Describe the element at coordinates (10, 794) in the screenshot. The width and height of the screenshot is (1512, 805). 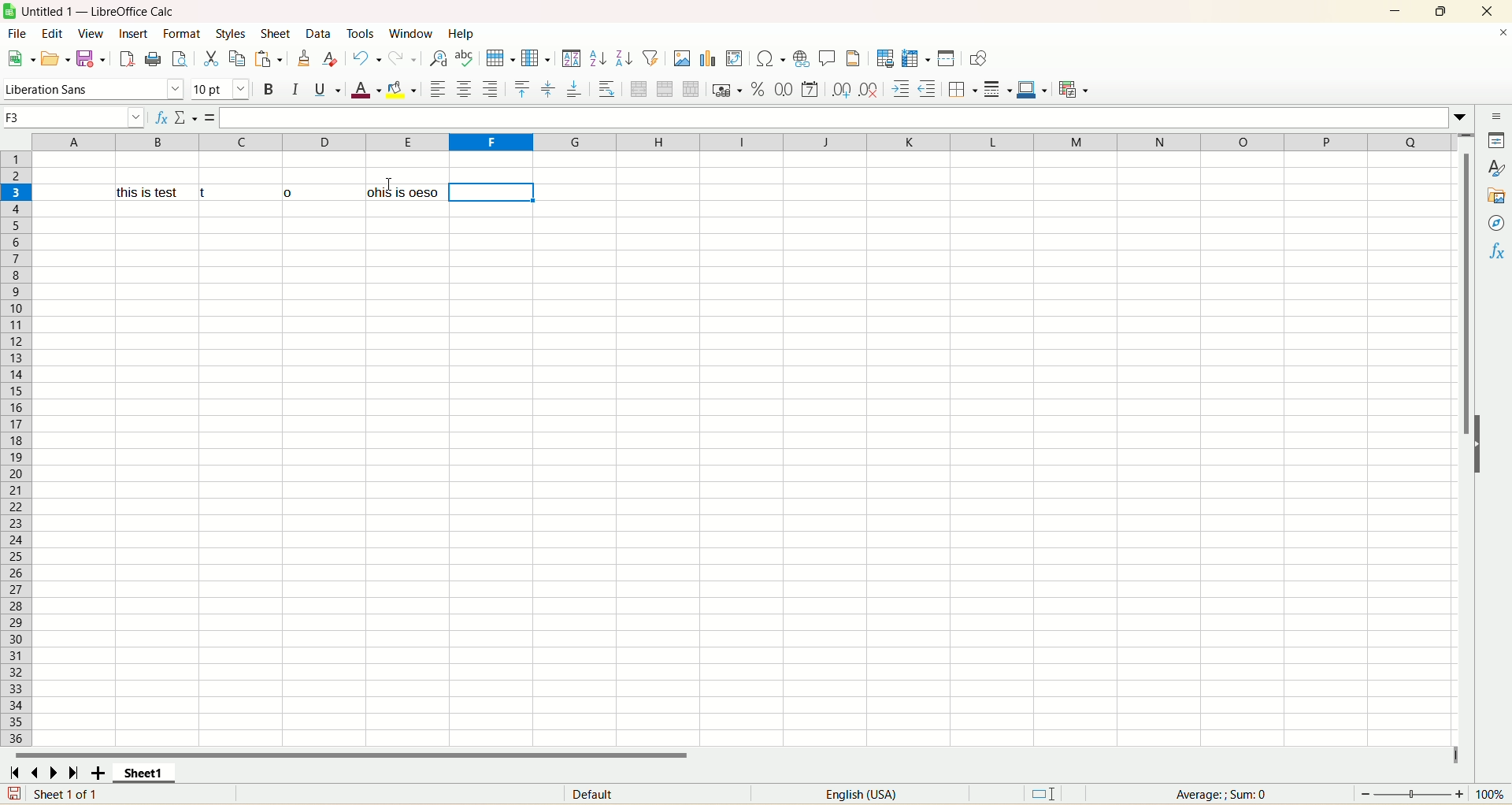
I see `save` at that location.